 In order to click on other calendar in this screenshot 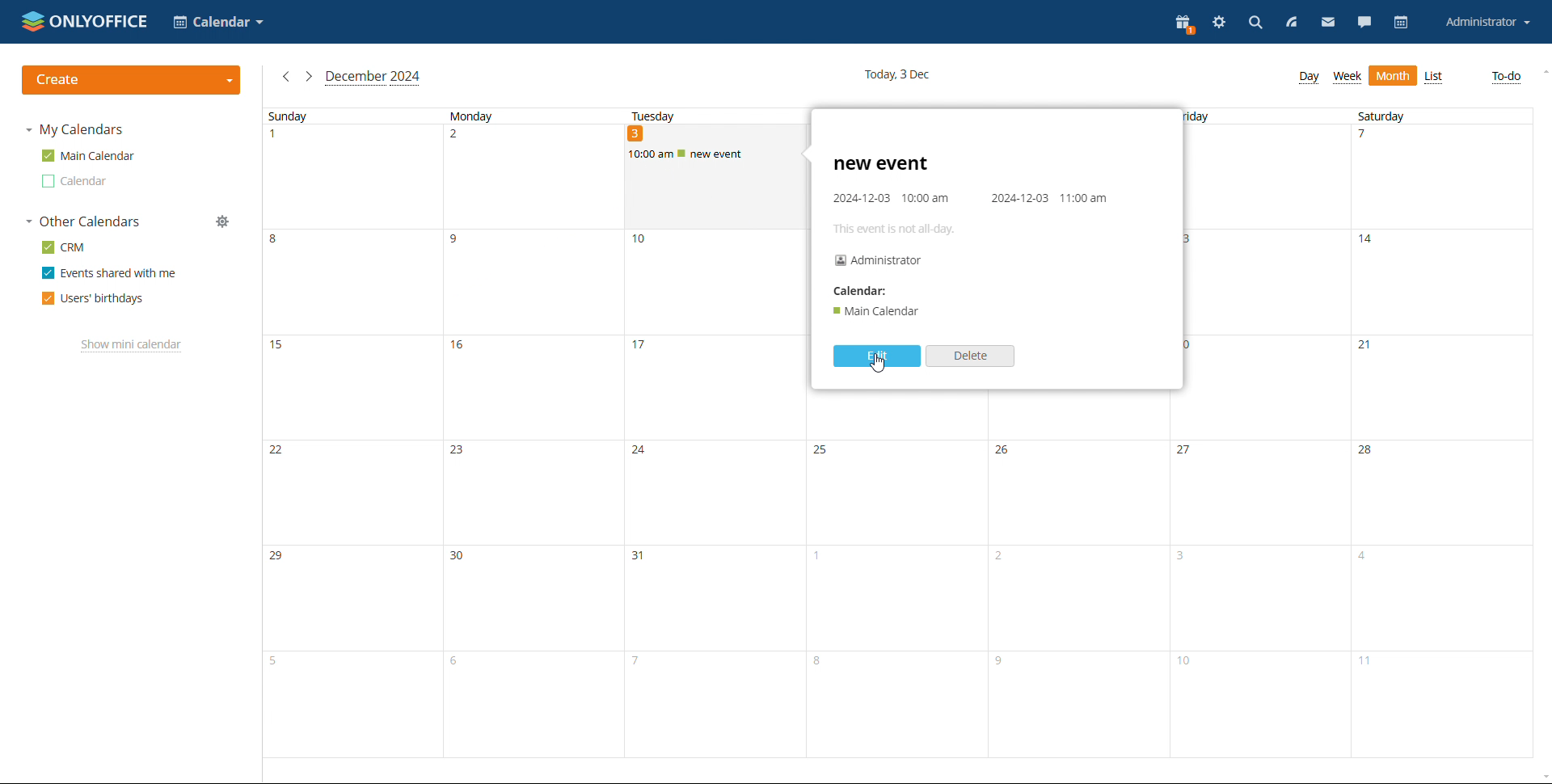, I will do `click(76, 181)`.